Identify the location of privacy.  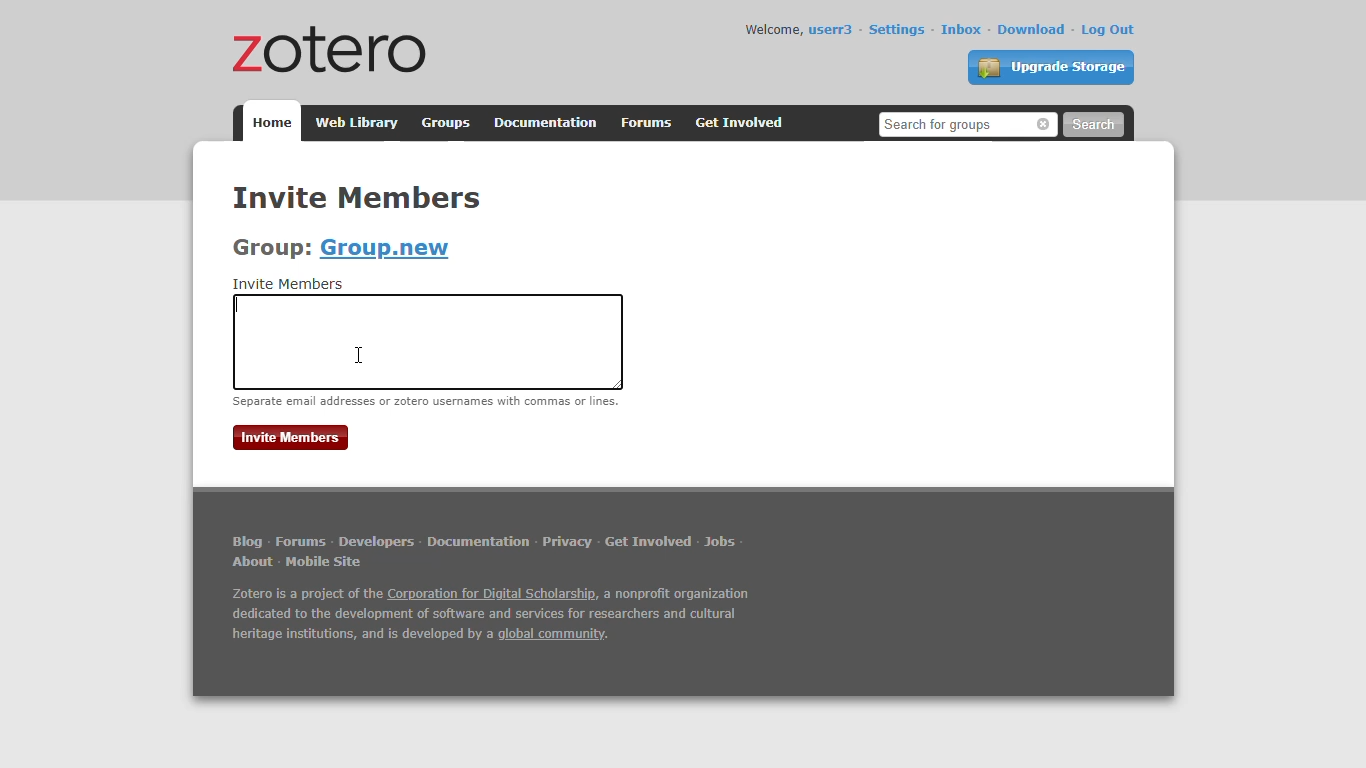
(566, 542).